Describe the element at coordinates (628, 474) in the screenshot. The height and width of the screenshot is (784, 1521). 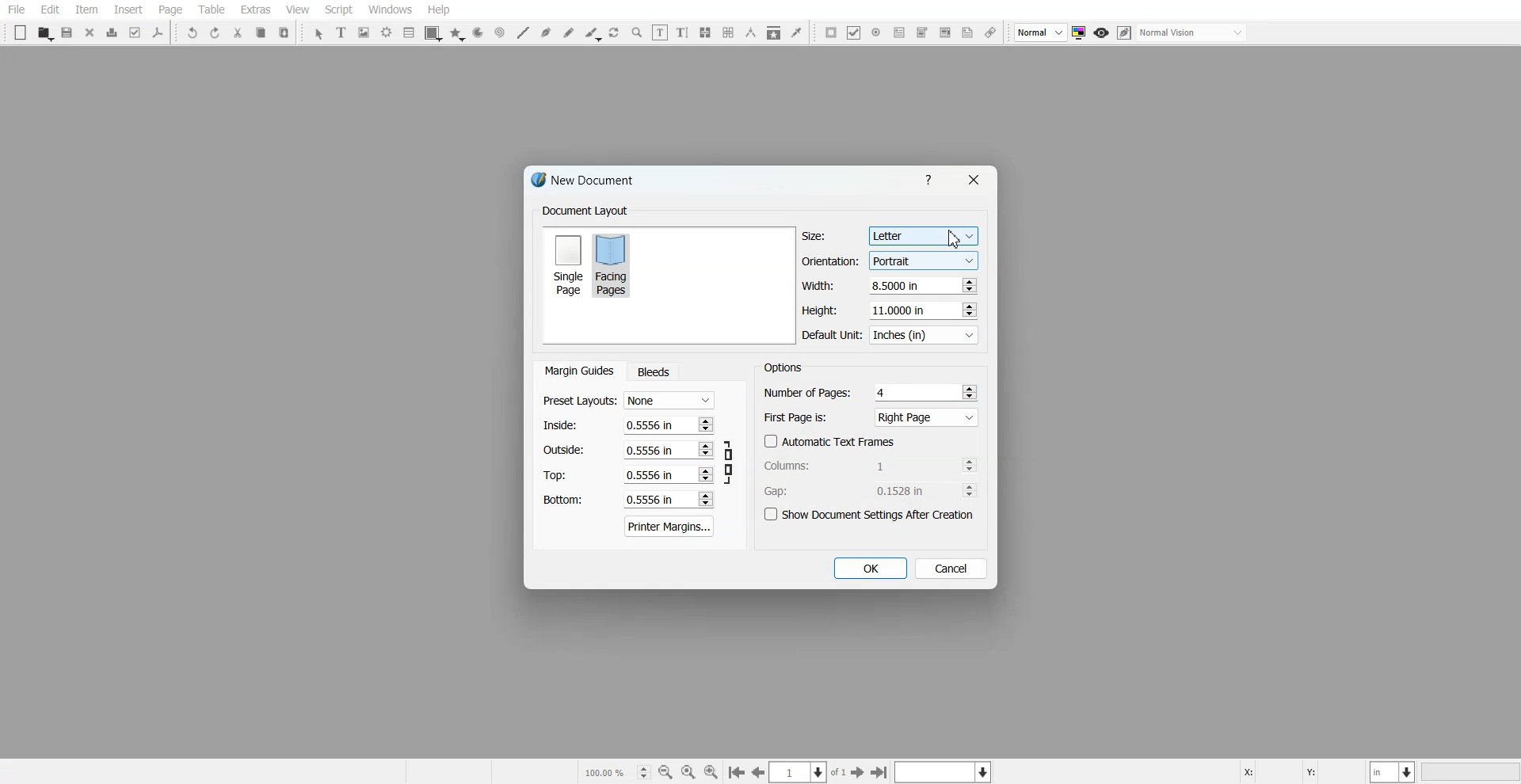
I see `Top margin adjuster` at that location.